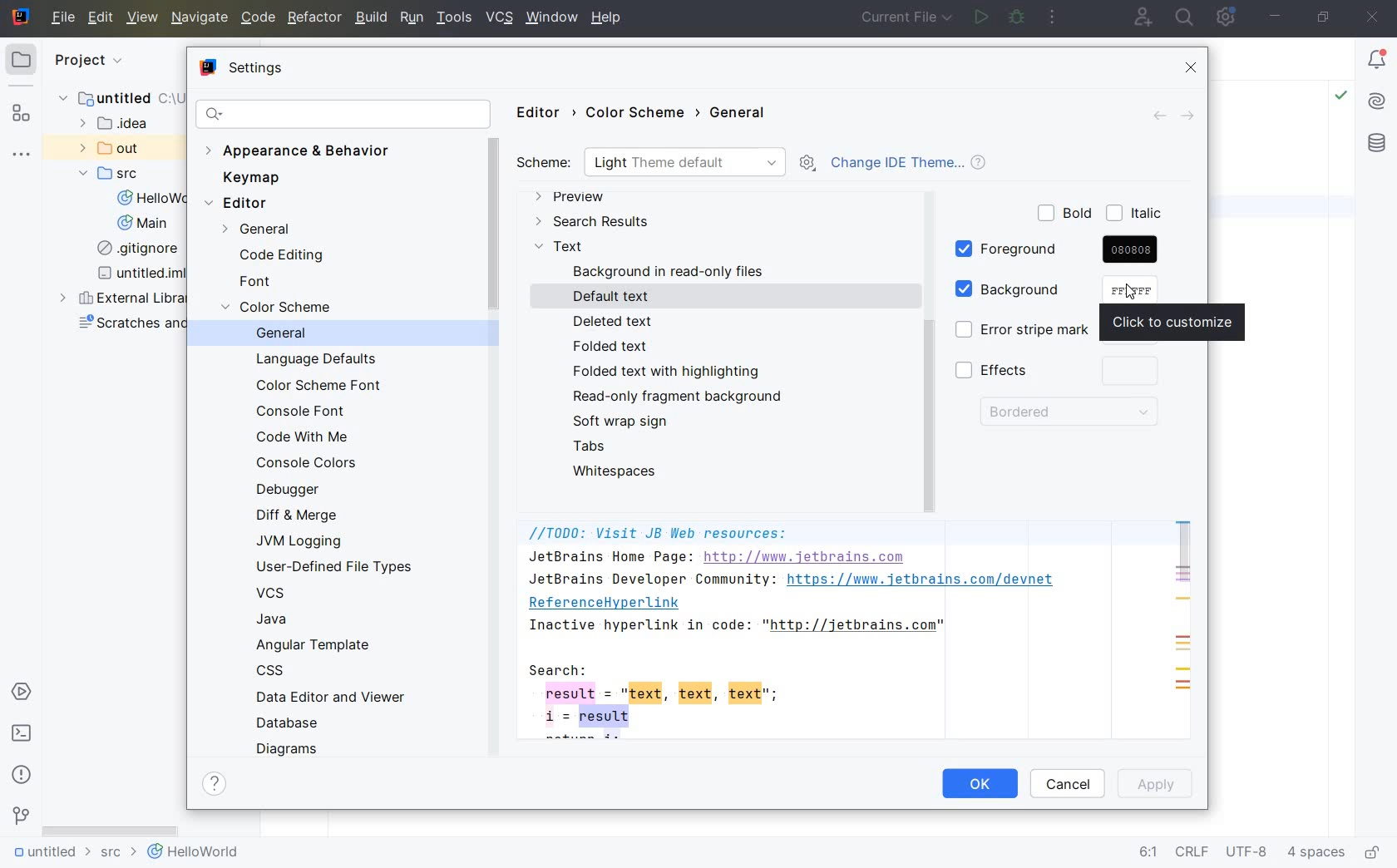  I want to click on DIFF & MERGE, so click(306, 515).